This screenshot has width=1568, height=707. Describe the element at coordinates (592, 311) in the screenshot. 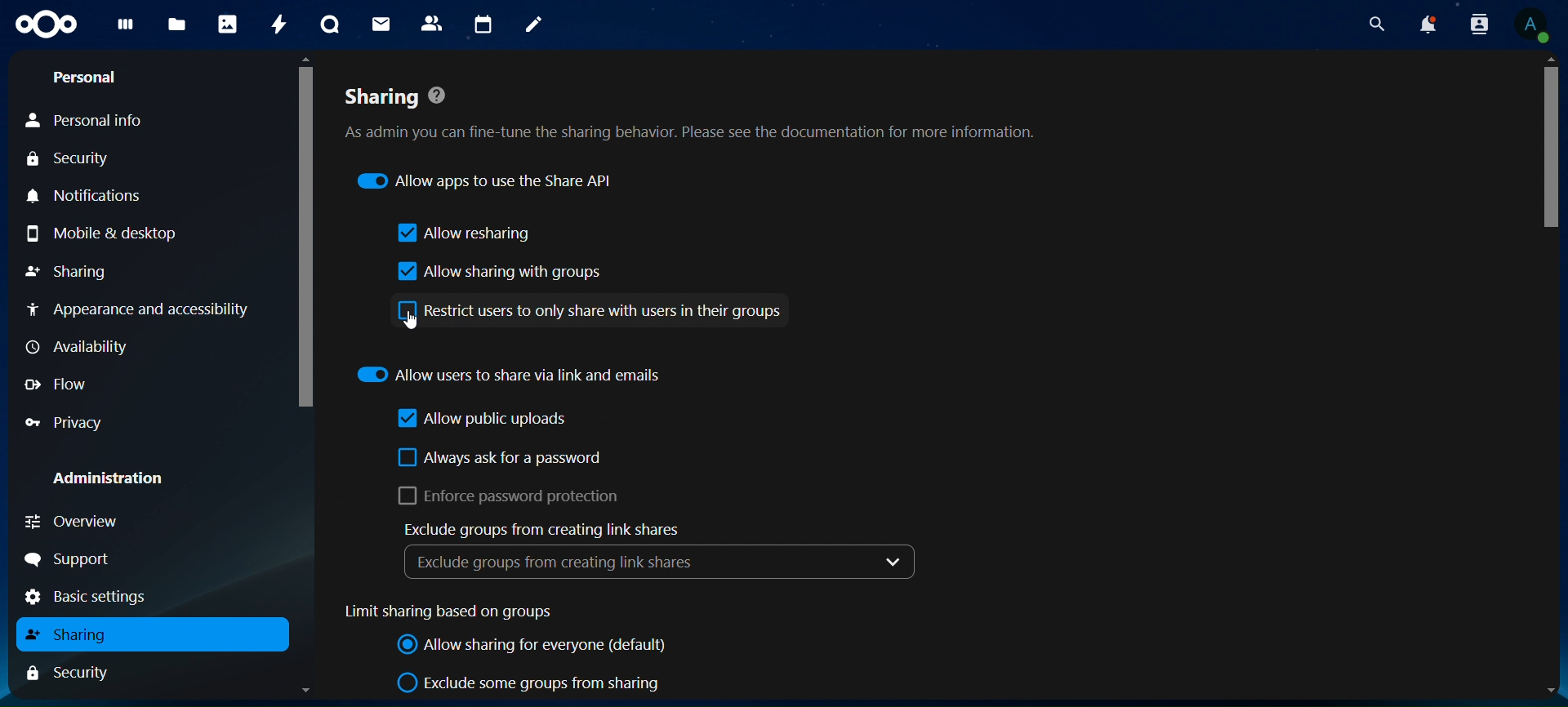

I see `restrict users to only share with users in their groups` at that location.